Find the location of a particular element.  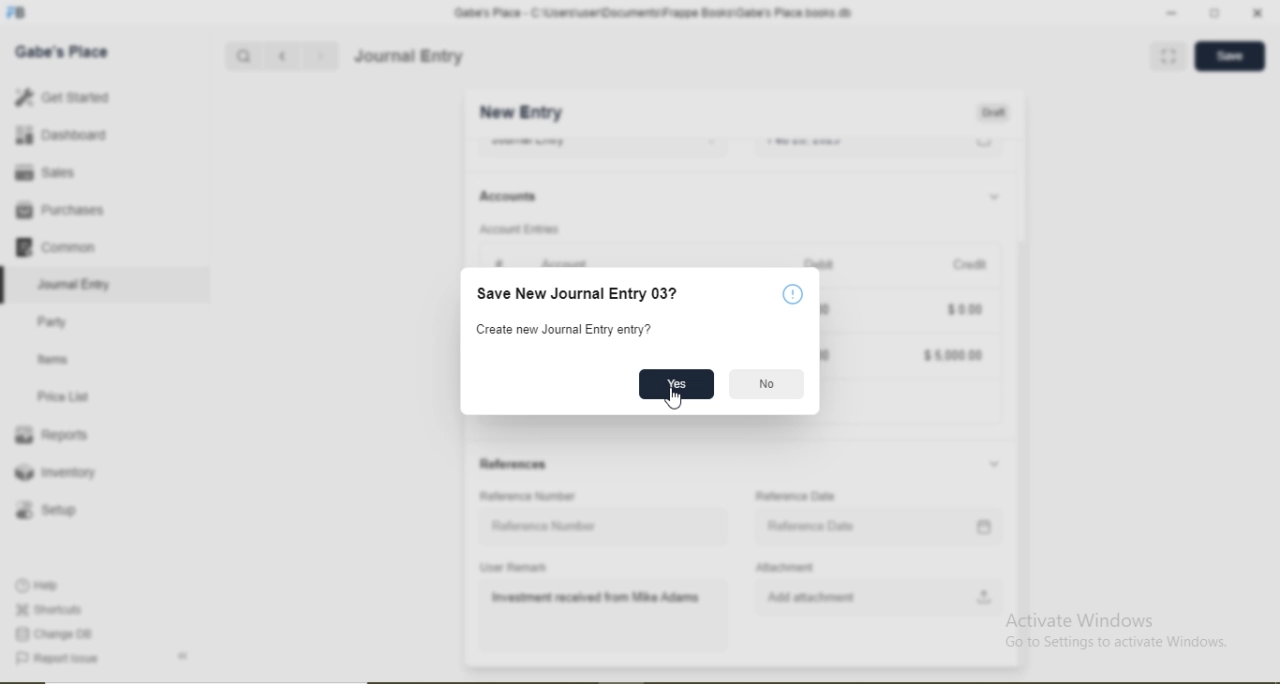

Draft is located at coordinates (993, 114).